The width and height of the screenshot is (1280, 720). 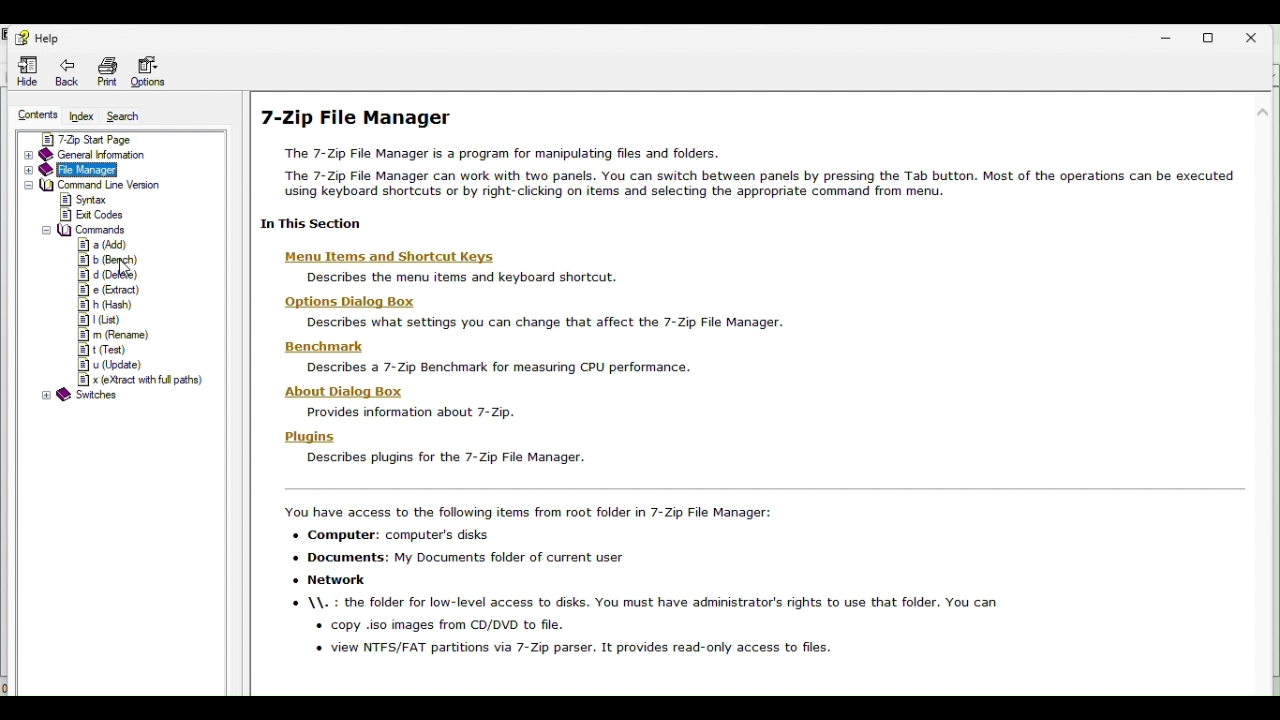 What do you see at coordinates (299, 225) in the screenshot?
I see `| In This Section` at bounding box center [299, 225].